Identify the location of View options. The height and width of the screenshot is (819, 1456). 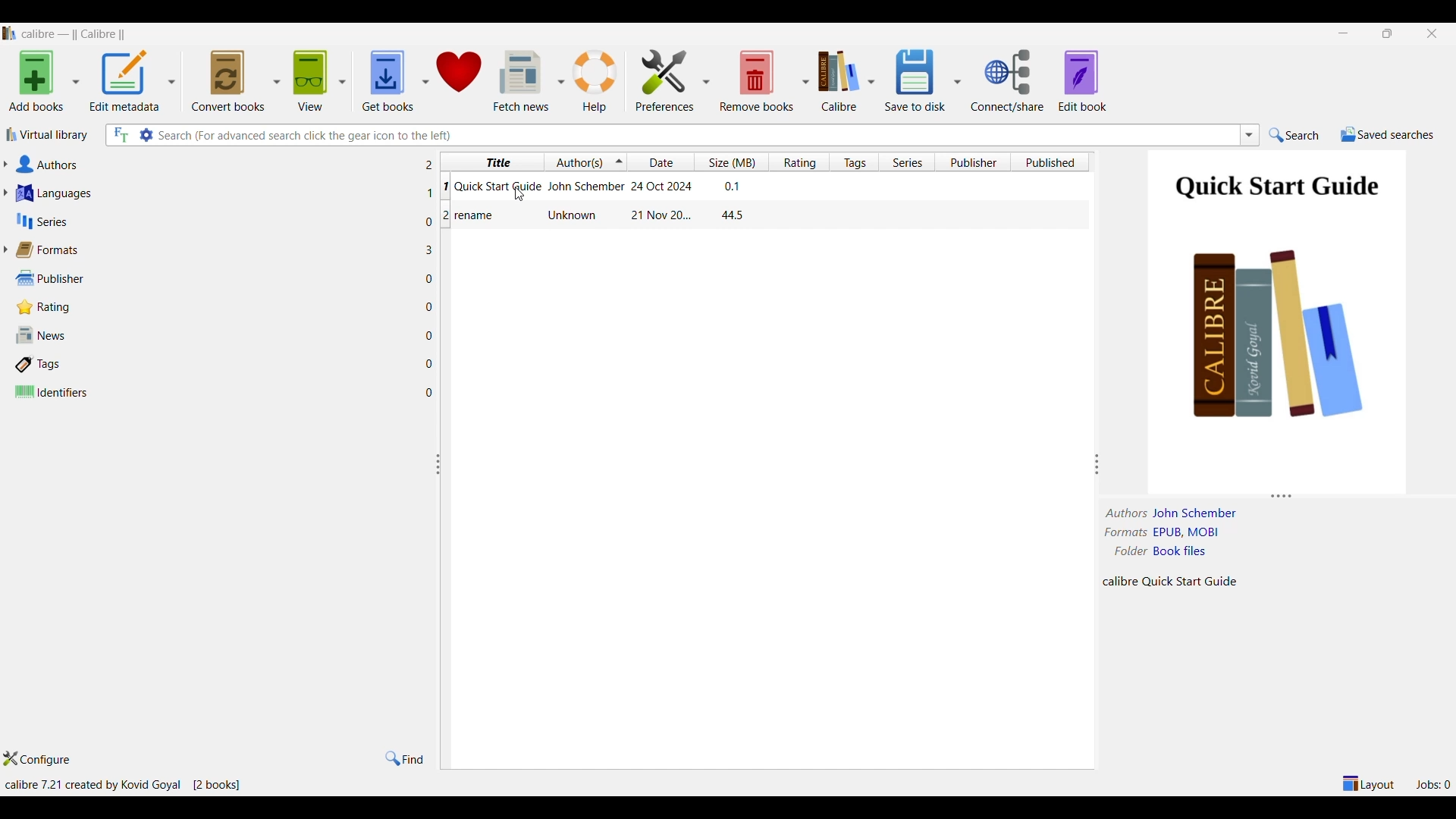
(341, 81).